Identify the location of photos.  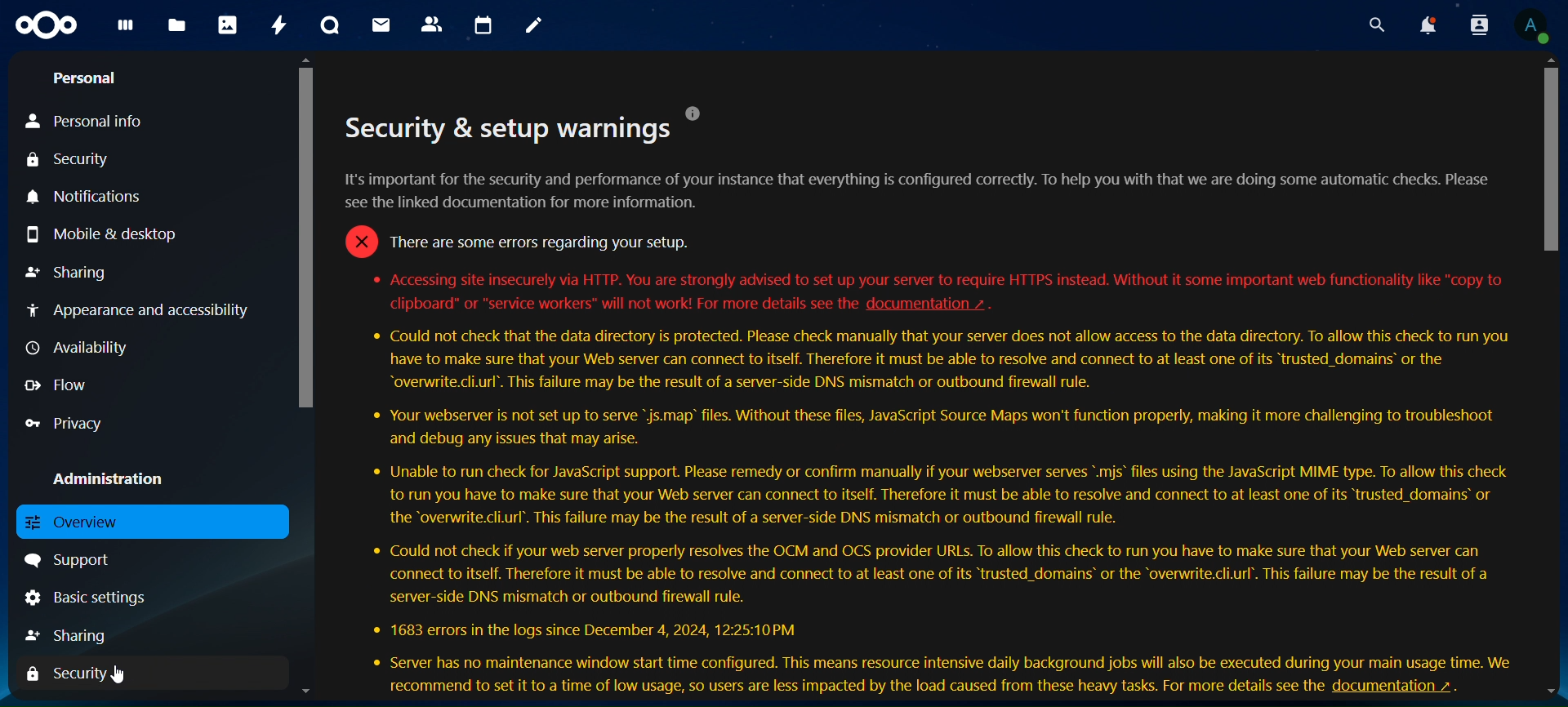
(227, 24).